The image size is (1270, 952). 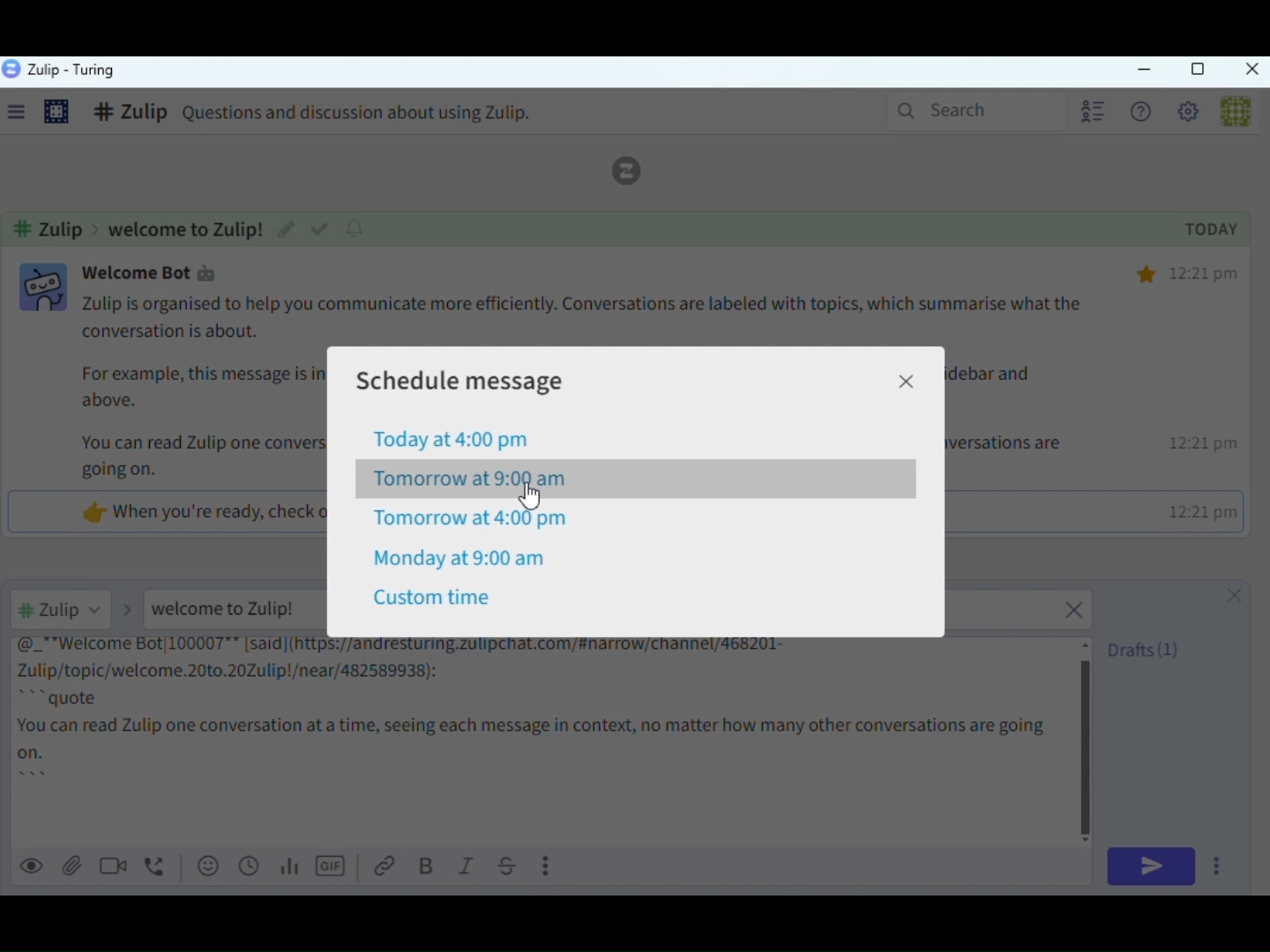 I want to click on Zulip, so click(x=60, y=71).